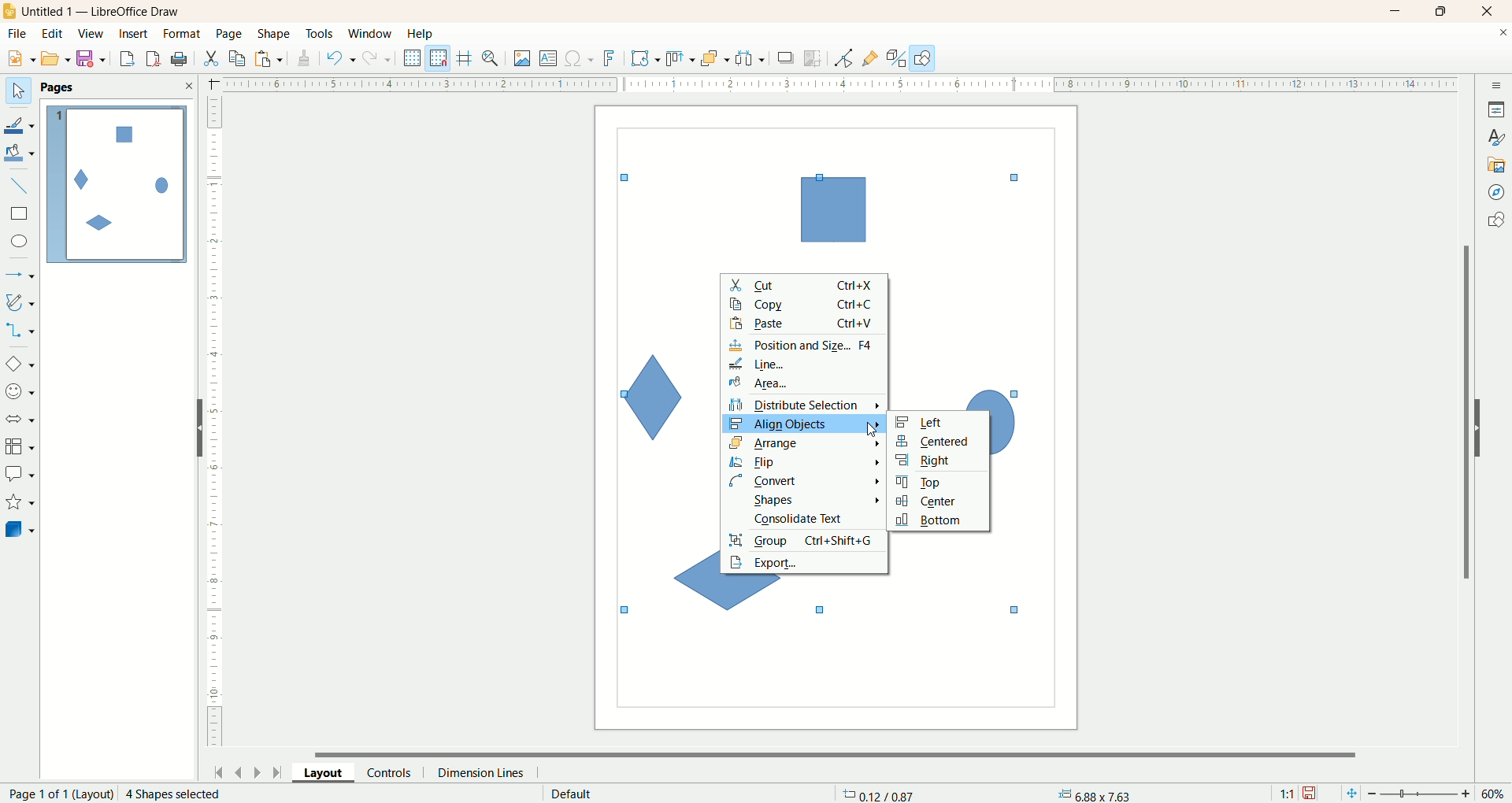  Describe the element at coordinates (1092, 794) in the screenshot. I see `anchor point` at that location.